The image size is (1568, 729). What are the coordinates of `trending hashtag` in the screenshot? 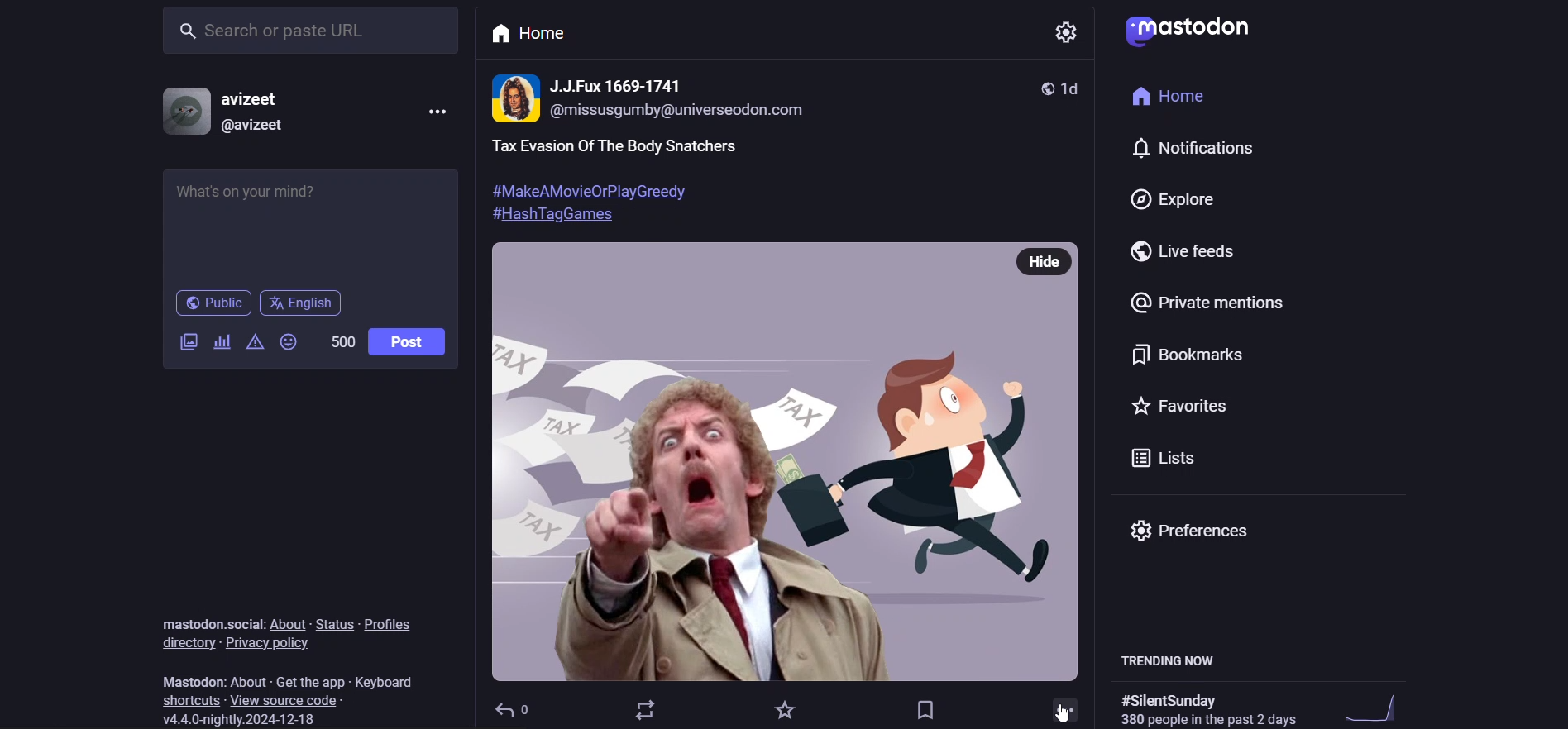 It's located at (1213, 704).